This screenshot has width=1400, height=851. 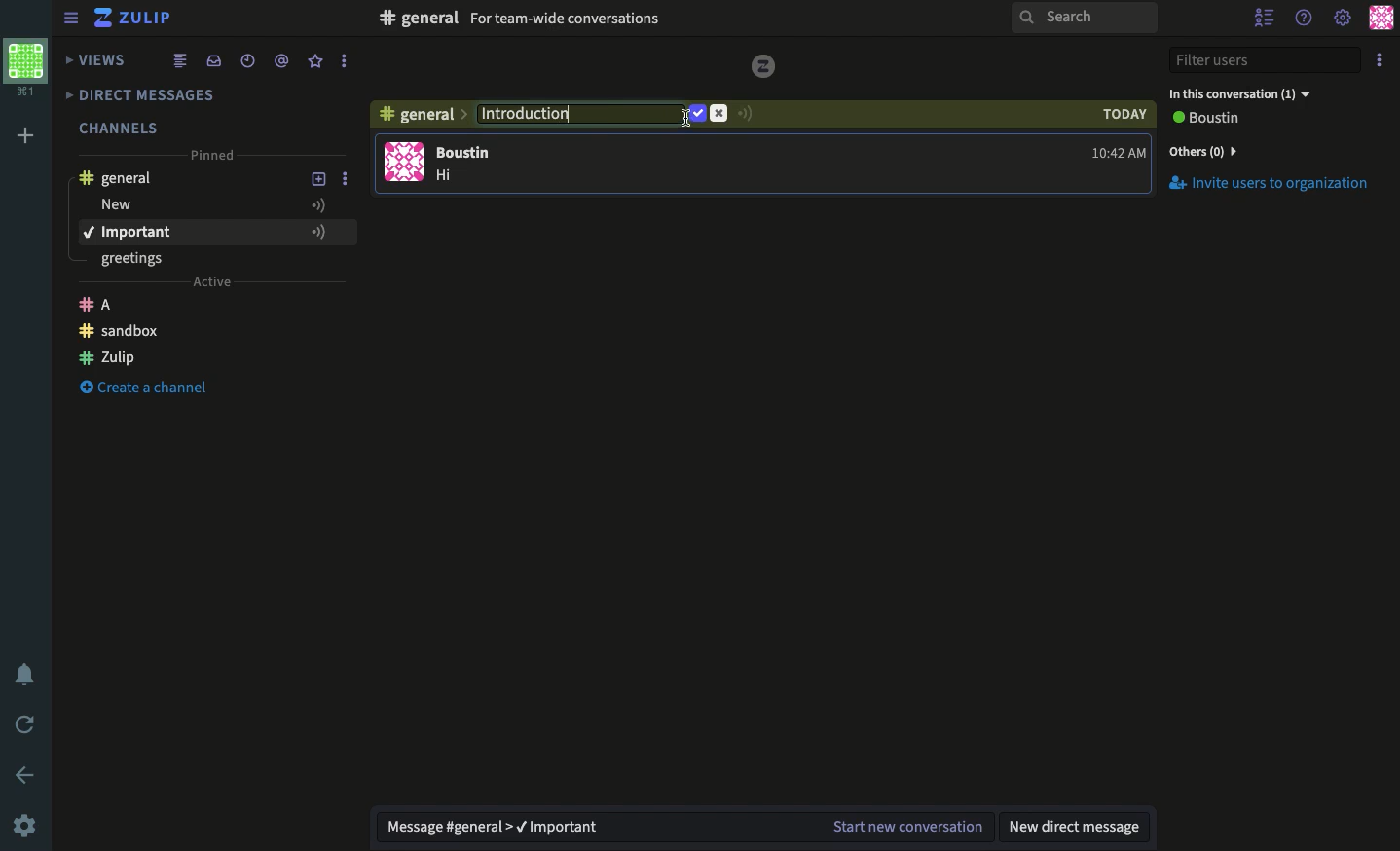 I want to click on Filter users, so click(x=1266, y=58).